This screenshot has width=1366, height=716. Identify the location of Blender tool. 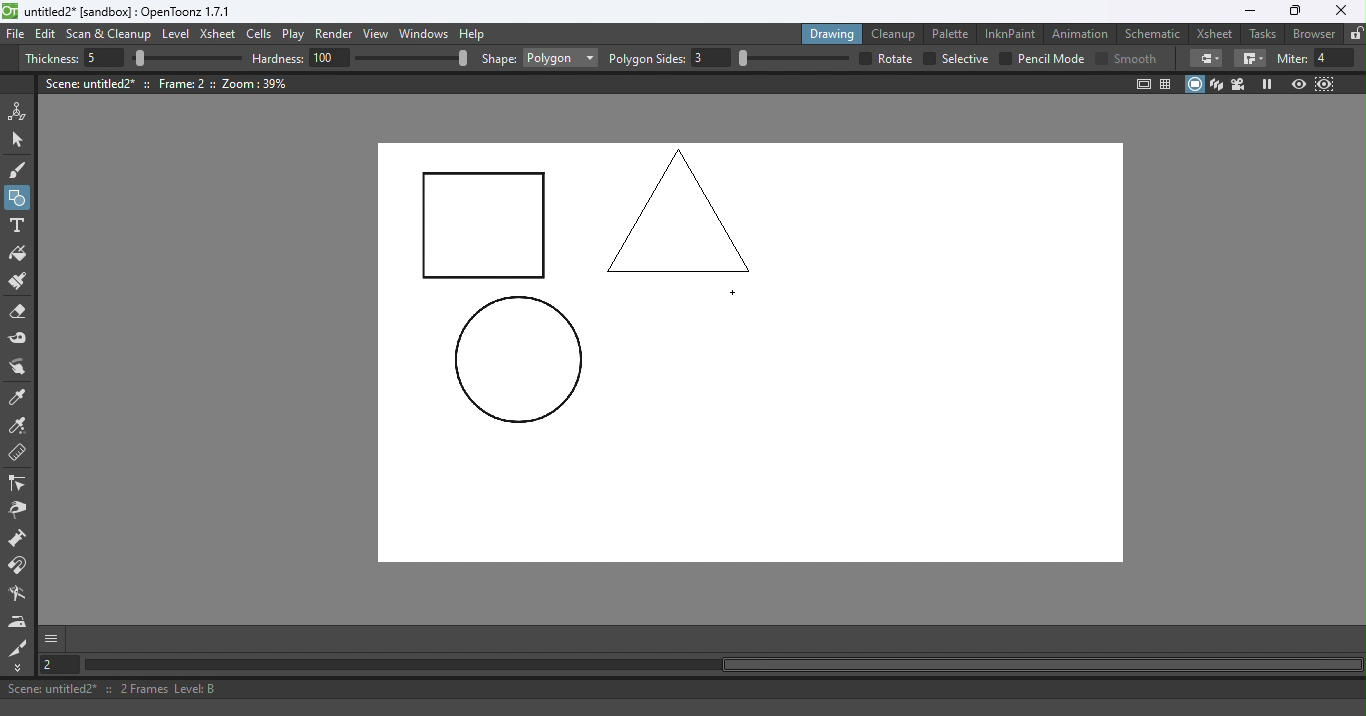
(21, 595).